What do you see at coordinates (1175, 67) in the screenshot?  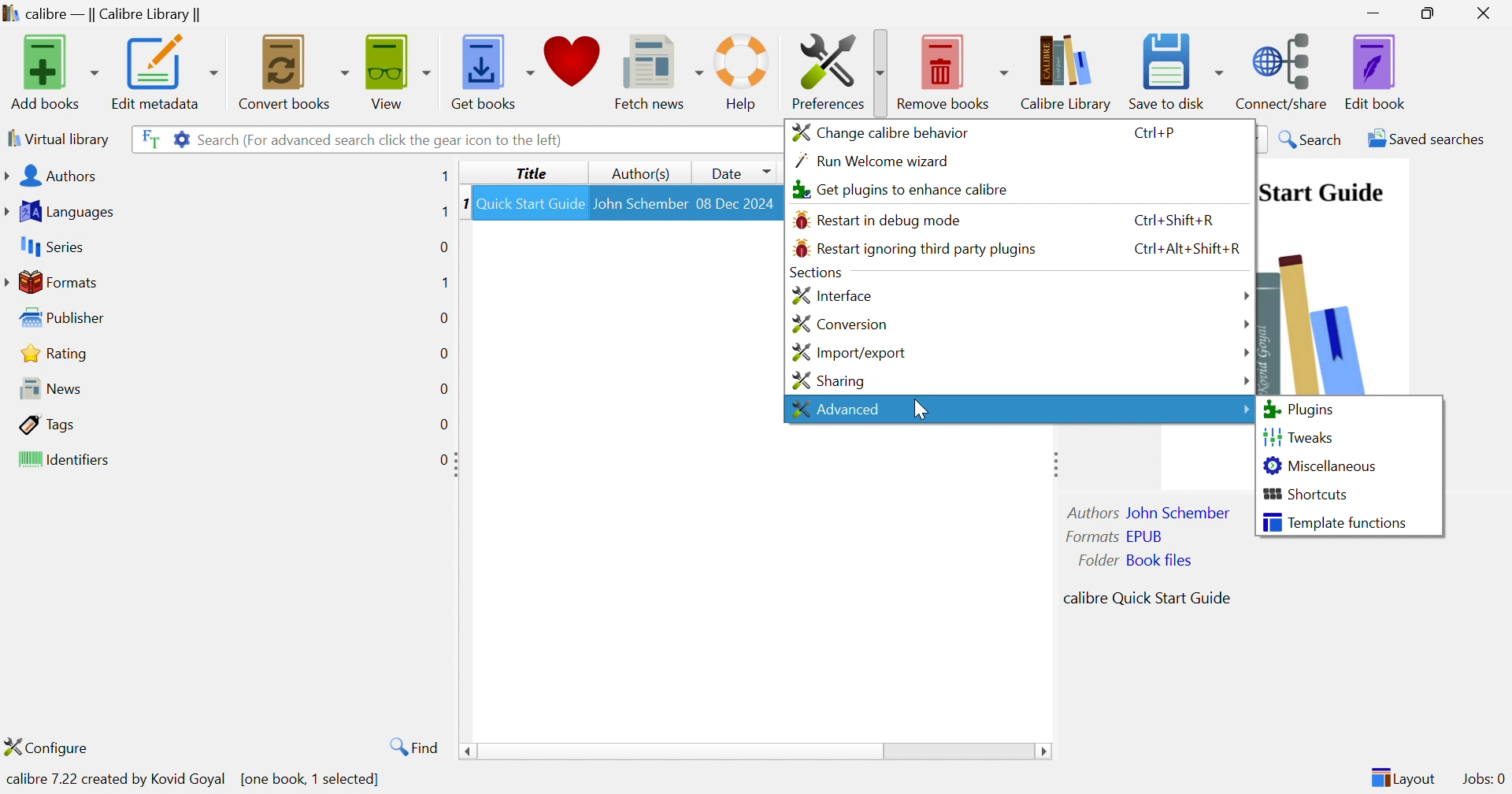 I see `Save to disk` at bounding box center [1175, 67].